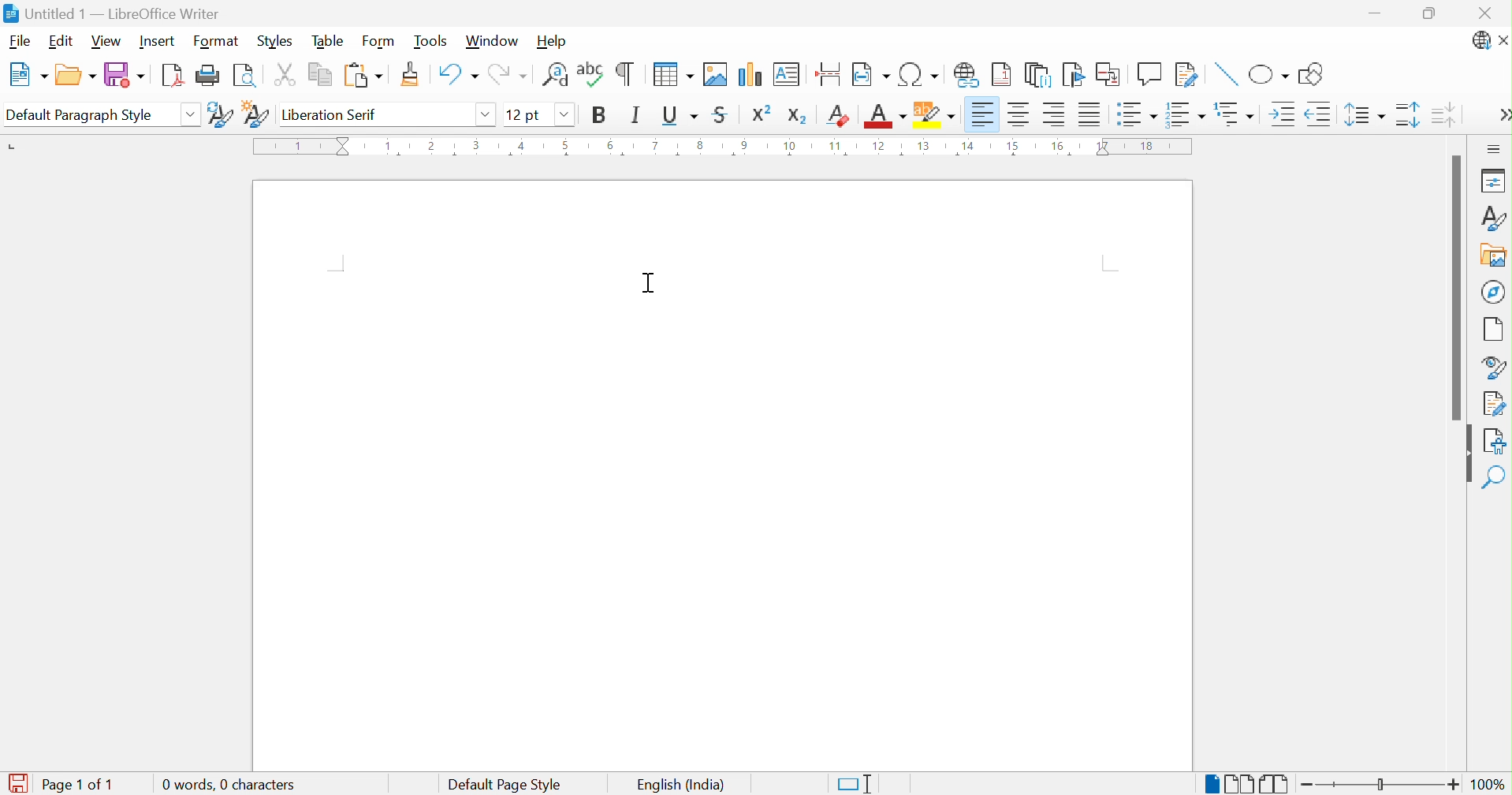 The height and width of the screenshot is (795, 1512). I want to click on Minimize, so click(1375, 15).